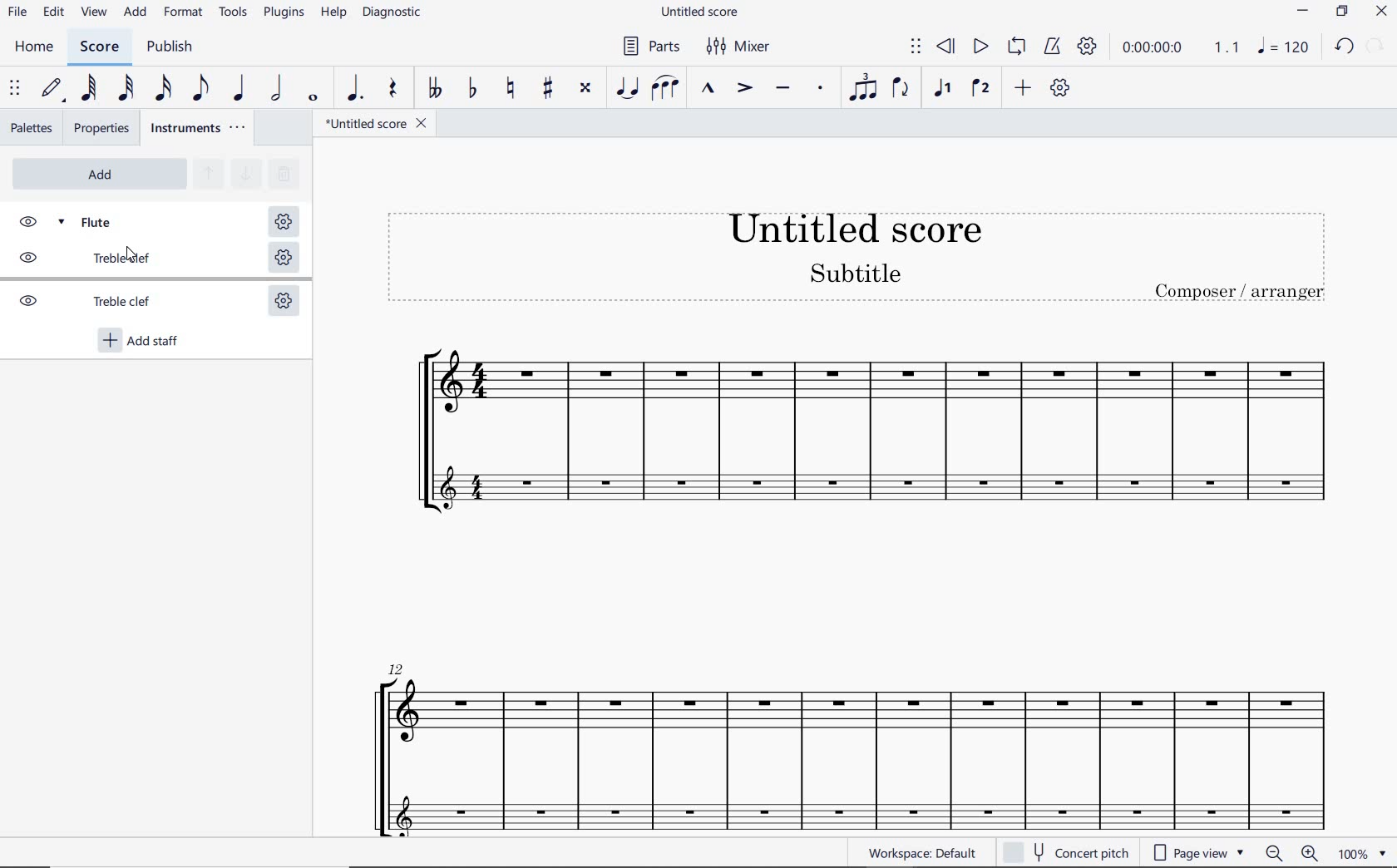 Image resolution: width=1397 pixels, height=868 pixels. I want to click on home, so click(38, 49).